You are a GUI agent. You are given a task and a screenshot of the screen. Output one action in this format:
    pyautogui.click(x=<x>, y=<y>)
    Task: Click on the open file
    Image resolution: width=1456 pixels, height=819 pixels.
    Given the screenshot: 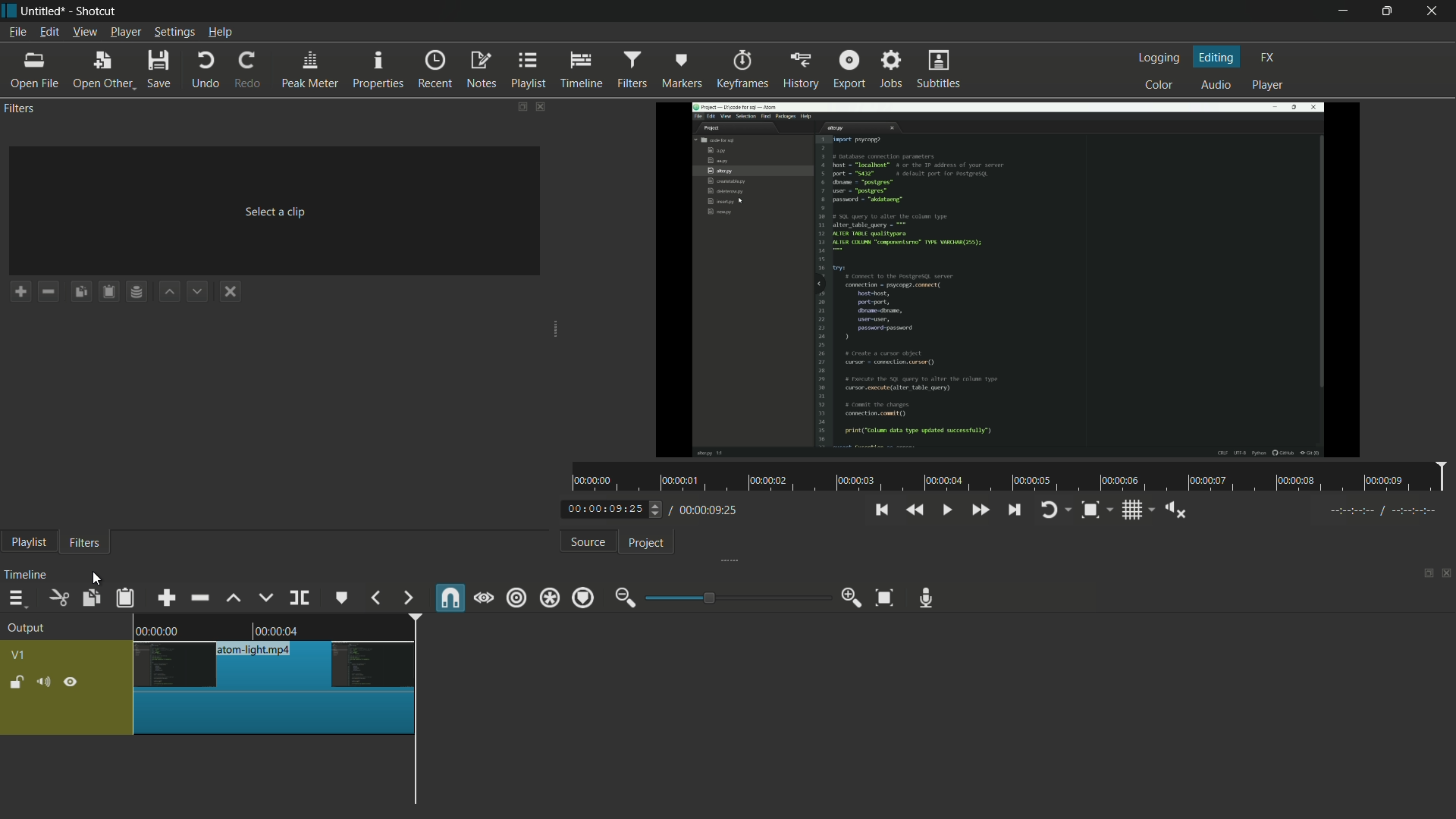 What is the action you would take?
    pyautogui.click(x=34, y=71)
    